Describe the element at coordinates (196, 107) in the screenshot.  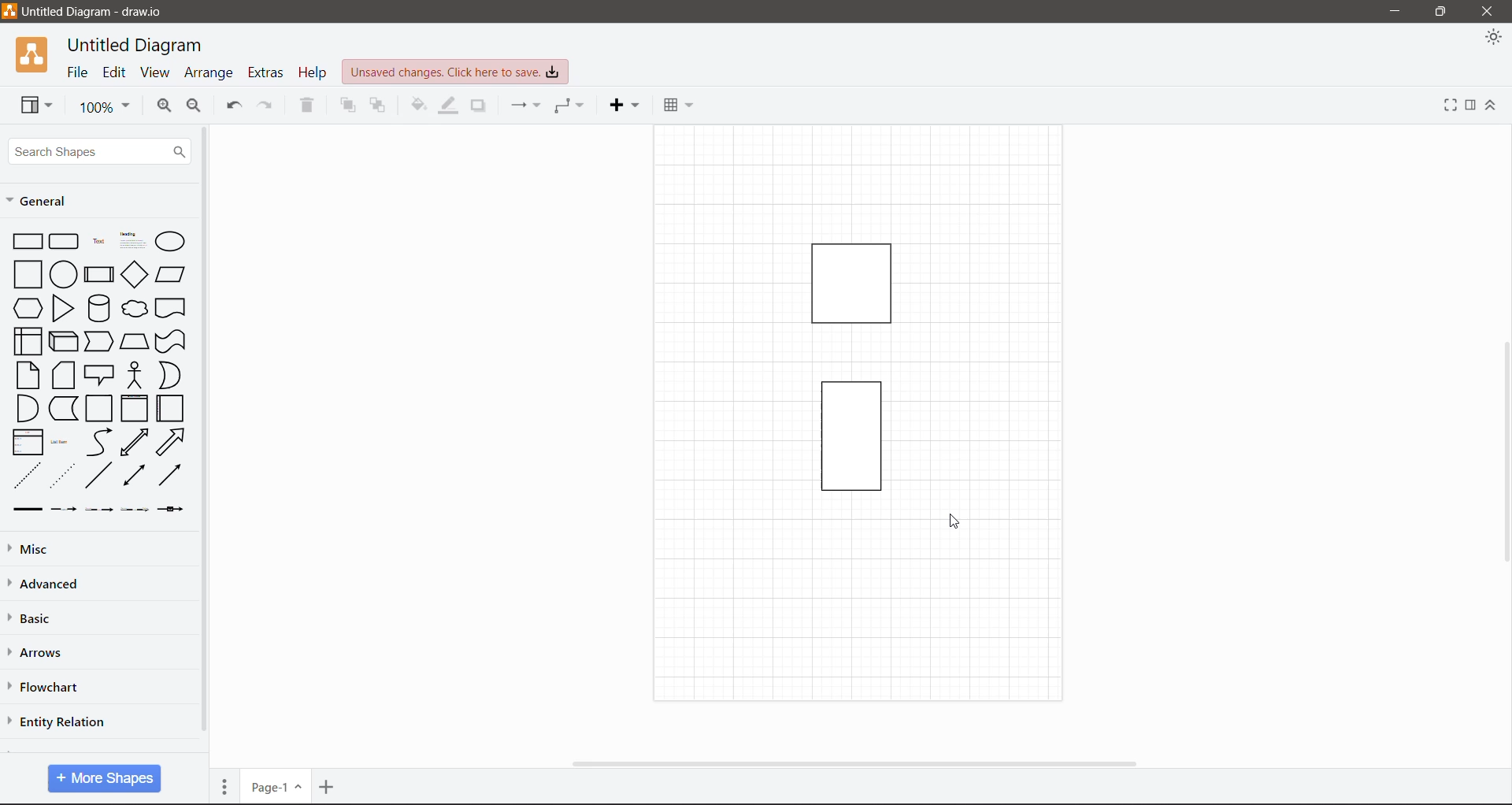
I see `Zoom Out` at that location.